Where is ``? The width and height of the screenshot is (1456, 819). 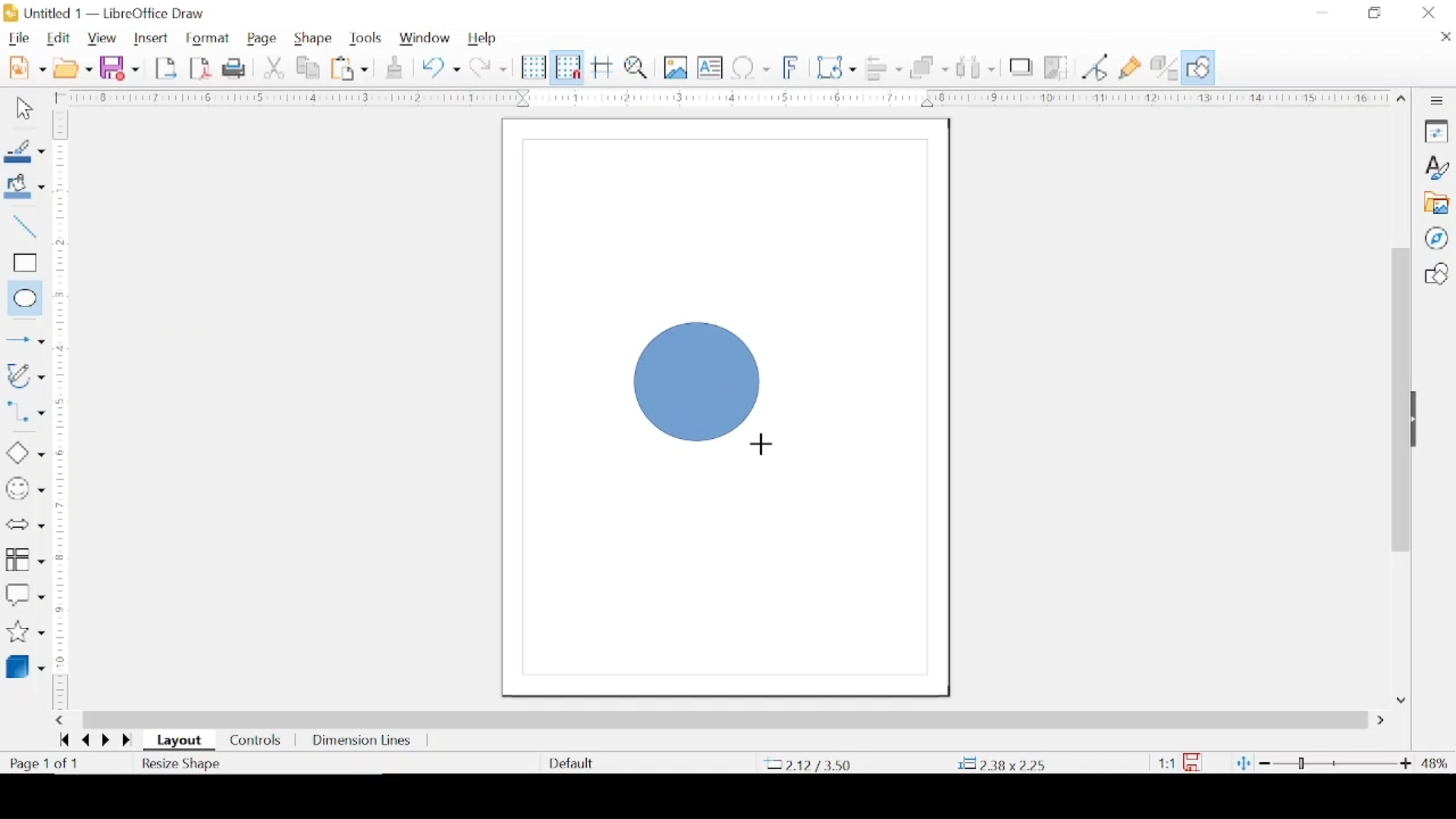
 is located at coordinates (21, 337).